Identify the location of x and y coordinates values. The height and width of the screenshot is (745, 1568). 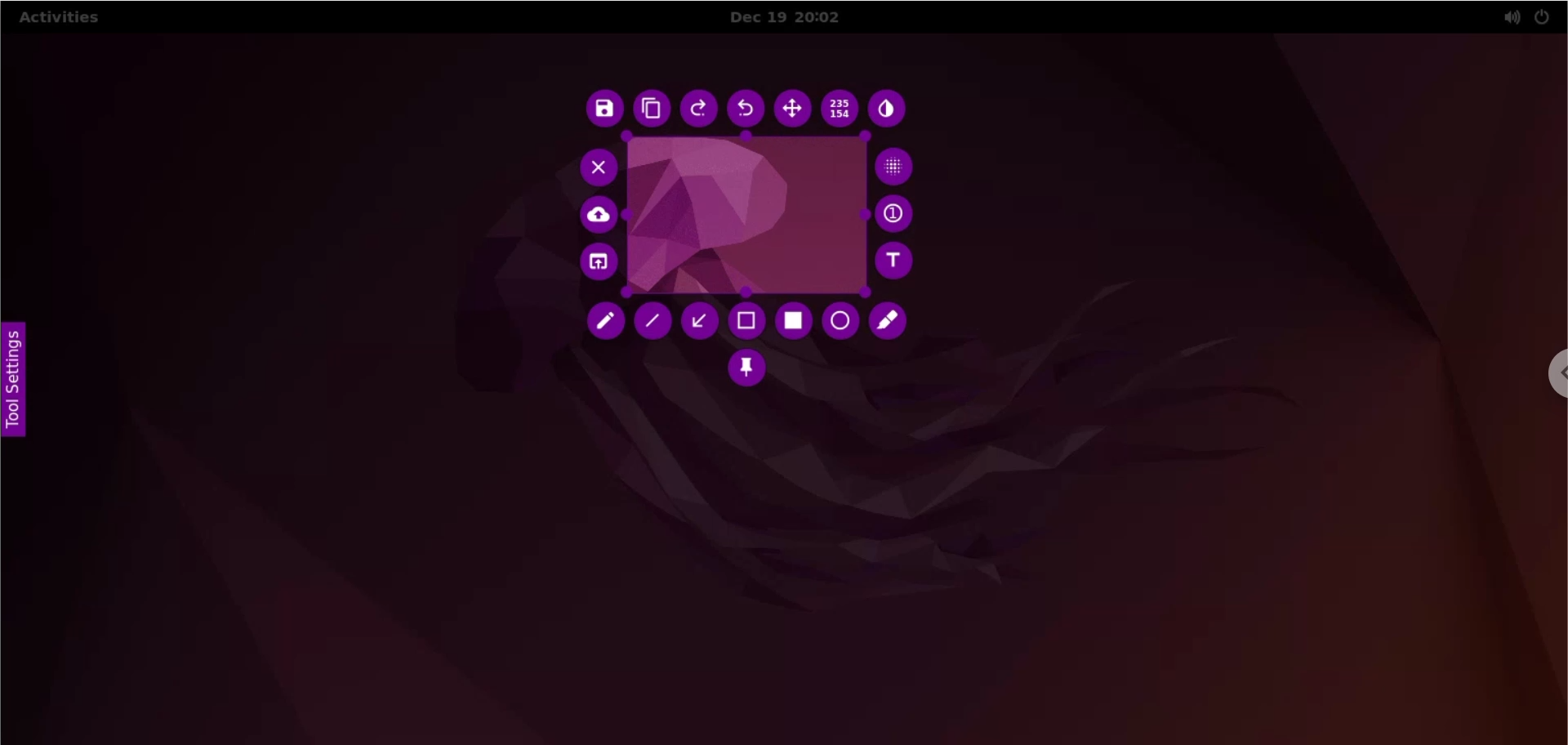
(844, 109).